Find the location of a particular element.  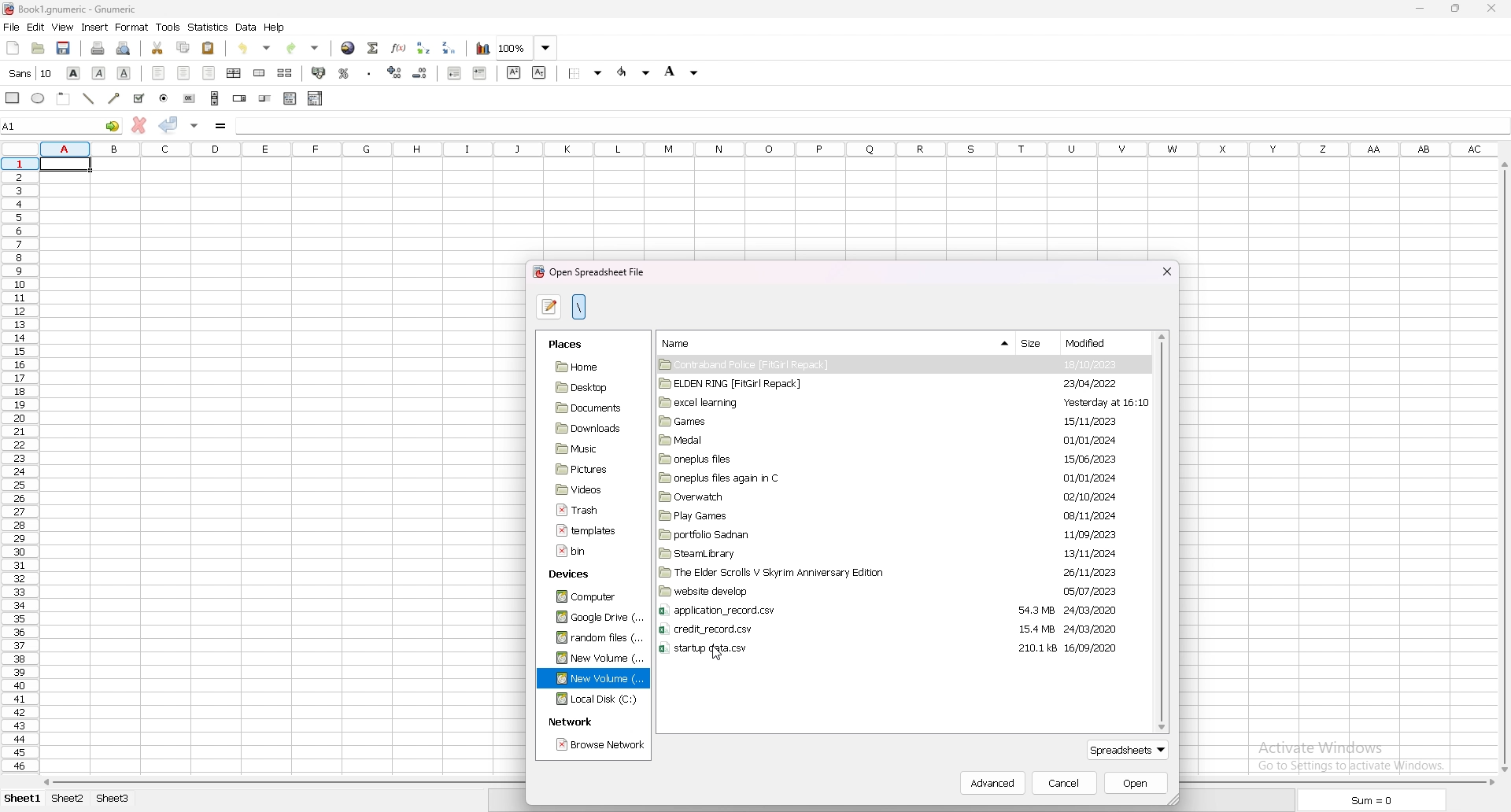

foreground is located at coordinates (635, 72).